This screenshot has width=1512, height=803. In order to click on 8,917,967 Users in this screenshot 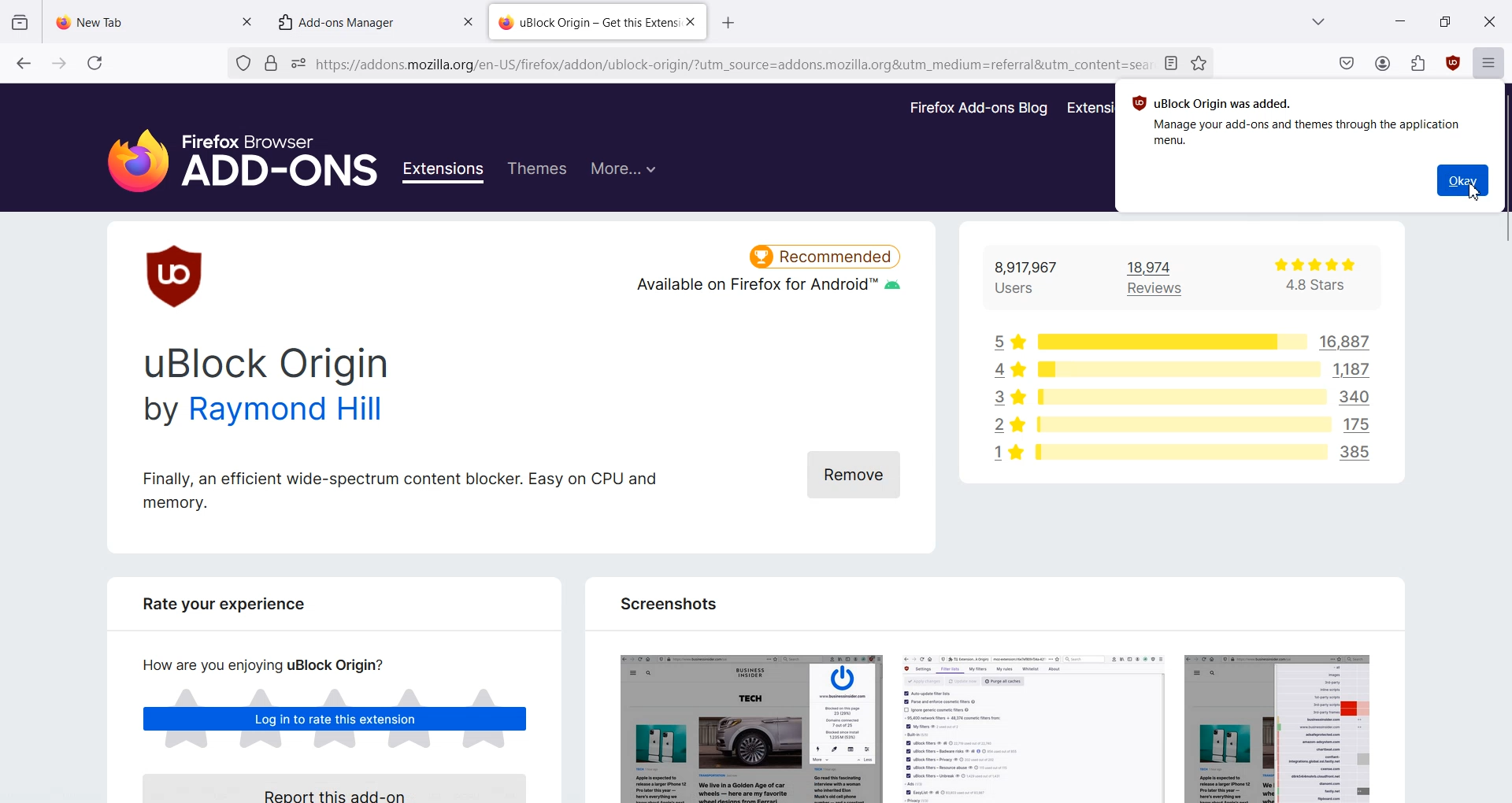, I will do `click(1026, 278)`.